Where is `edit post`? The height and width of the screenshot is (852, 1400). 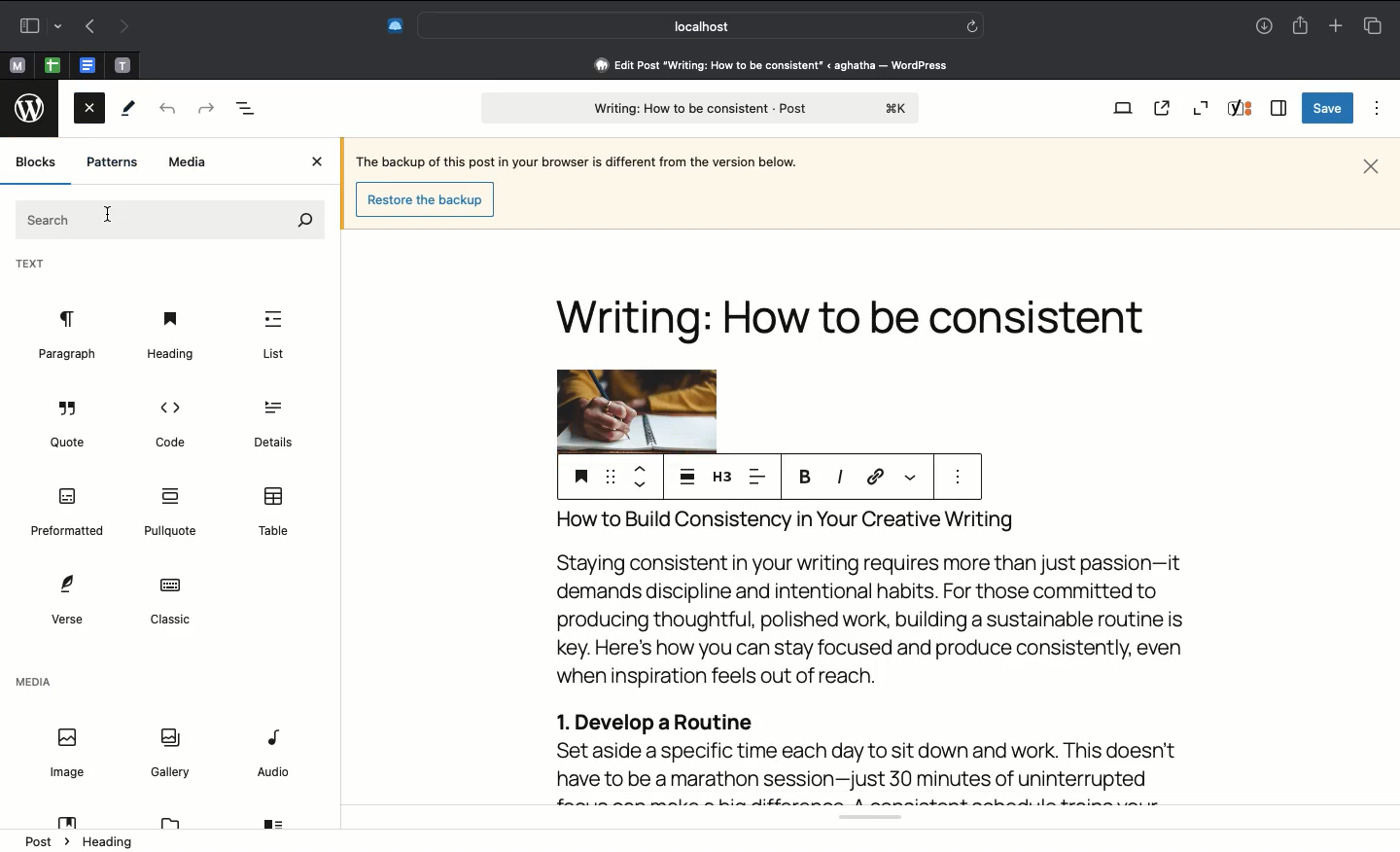 edit post is located at coordinates (774, 65).